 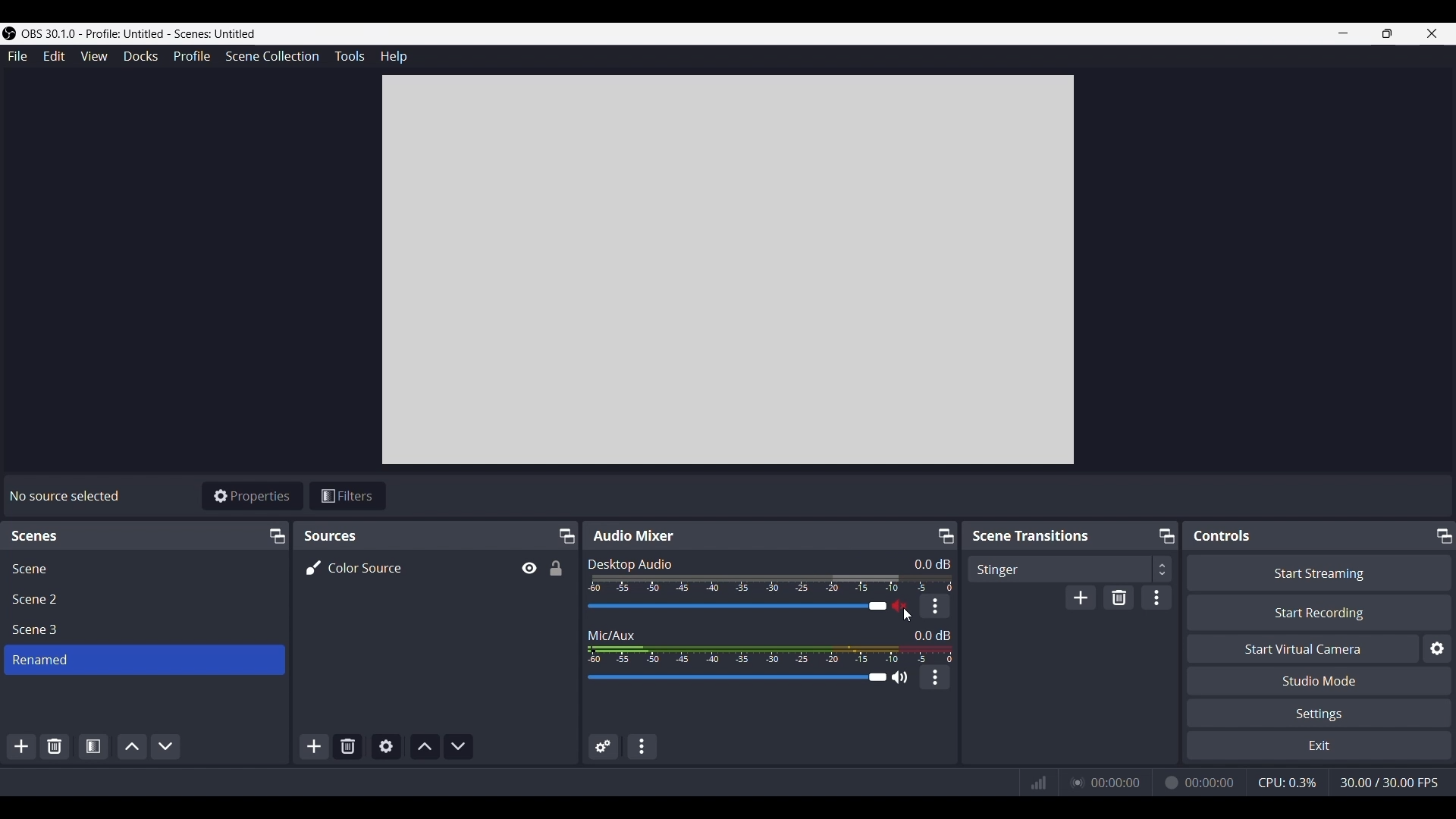 What do you see at coordinates (636, 534) in the screenshot?
I see `Audio Mixer` at bounding box center [636, 534].